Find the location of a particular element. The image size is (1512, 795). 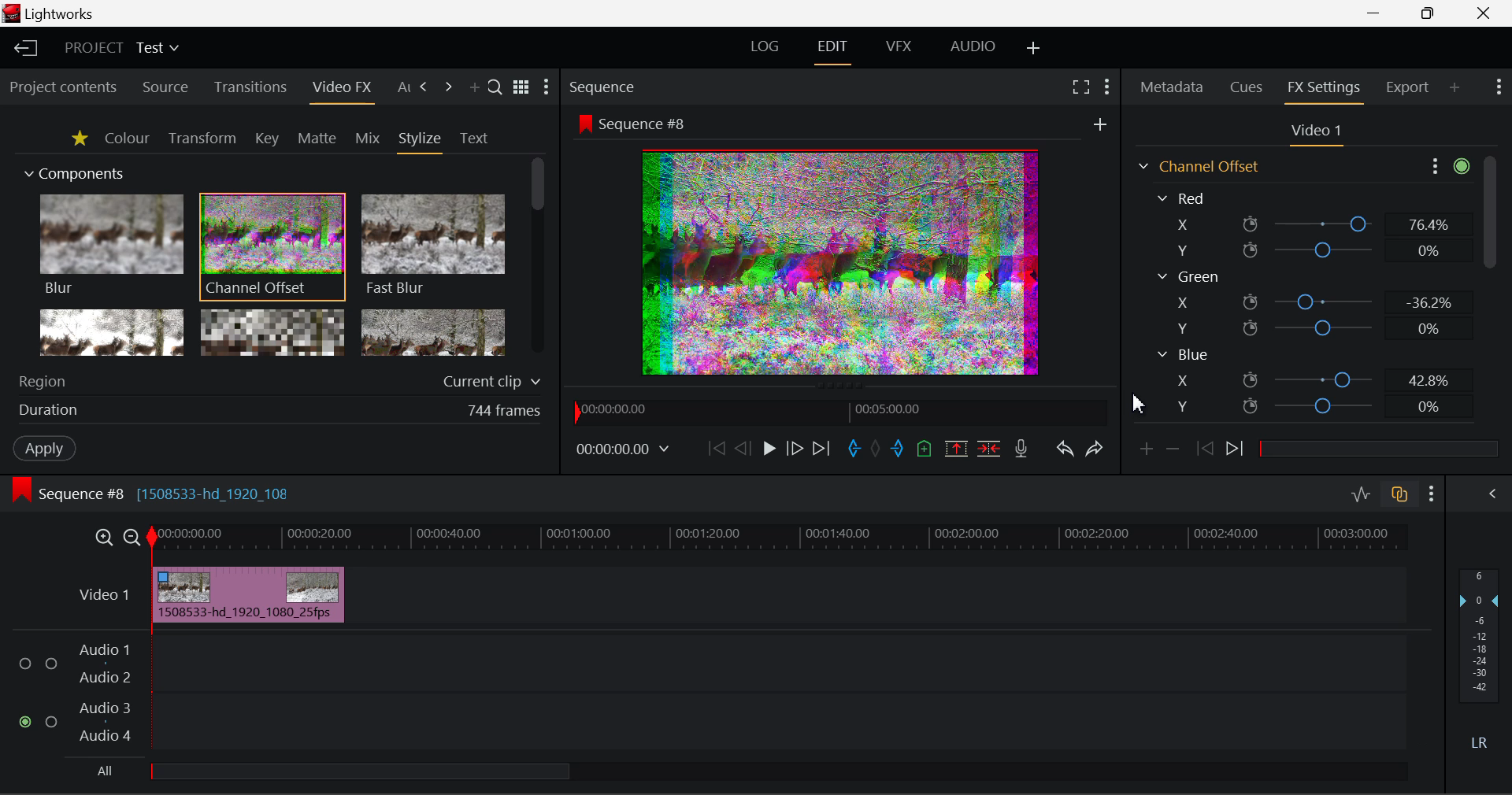

Preview Altered is located at coordinates (841, 260).